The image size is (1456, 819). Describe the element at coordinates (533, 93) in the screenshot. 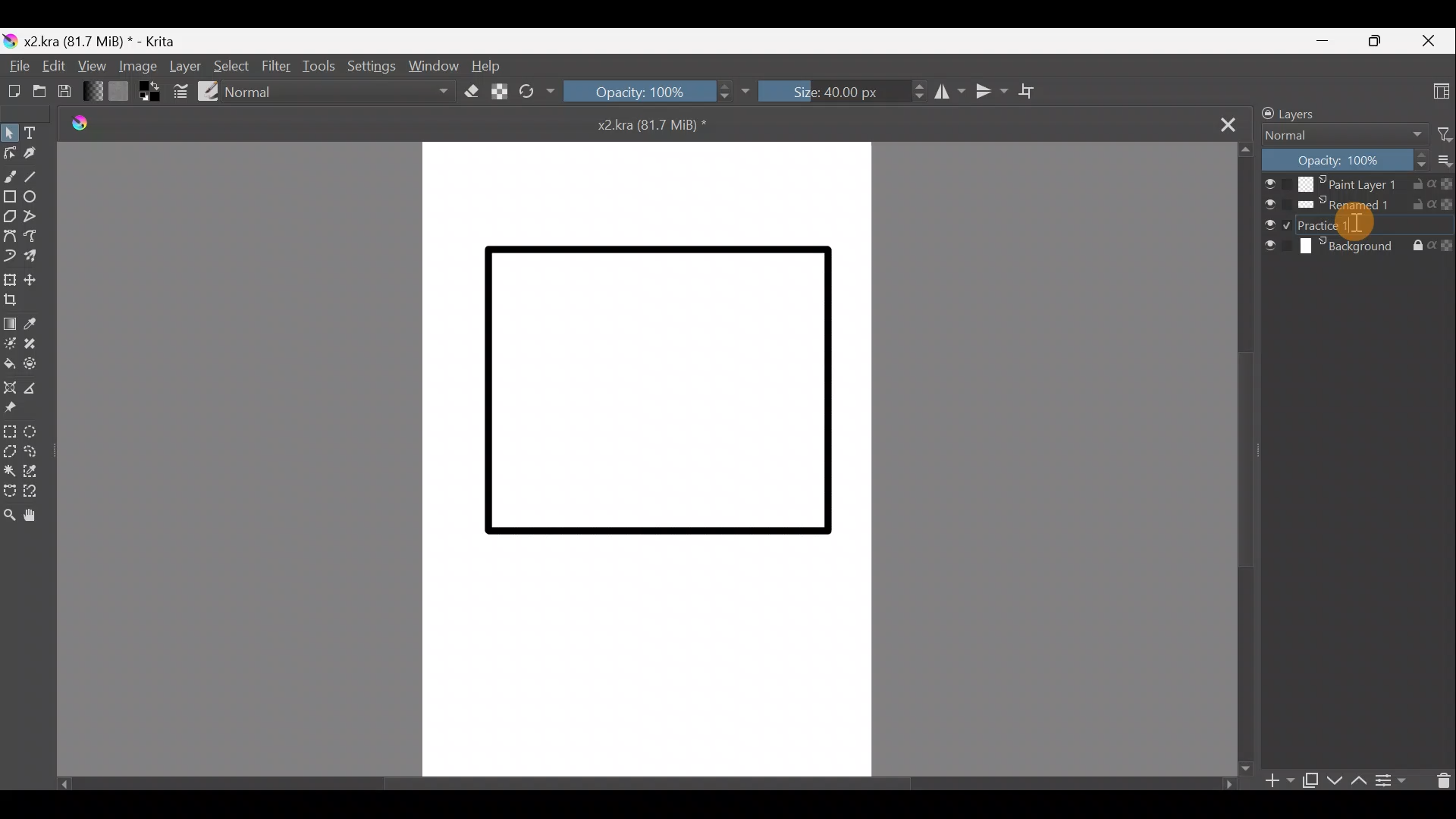

I see `Reload original preset` at that location.